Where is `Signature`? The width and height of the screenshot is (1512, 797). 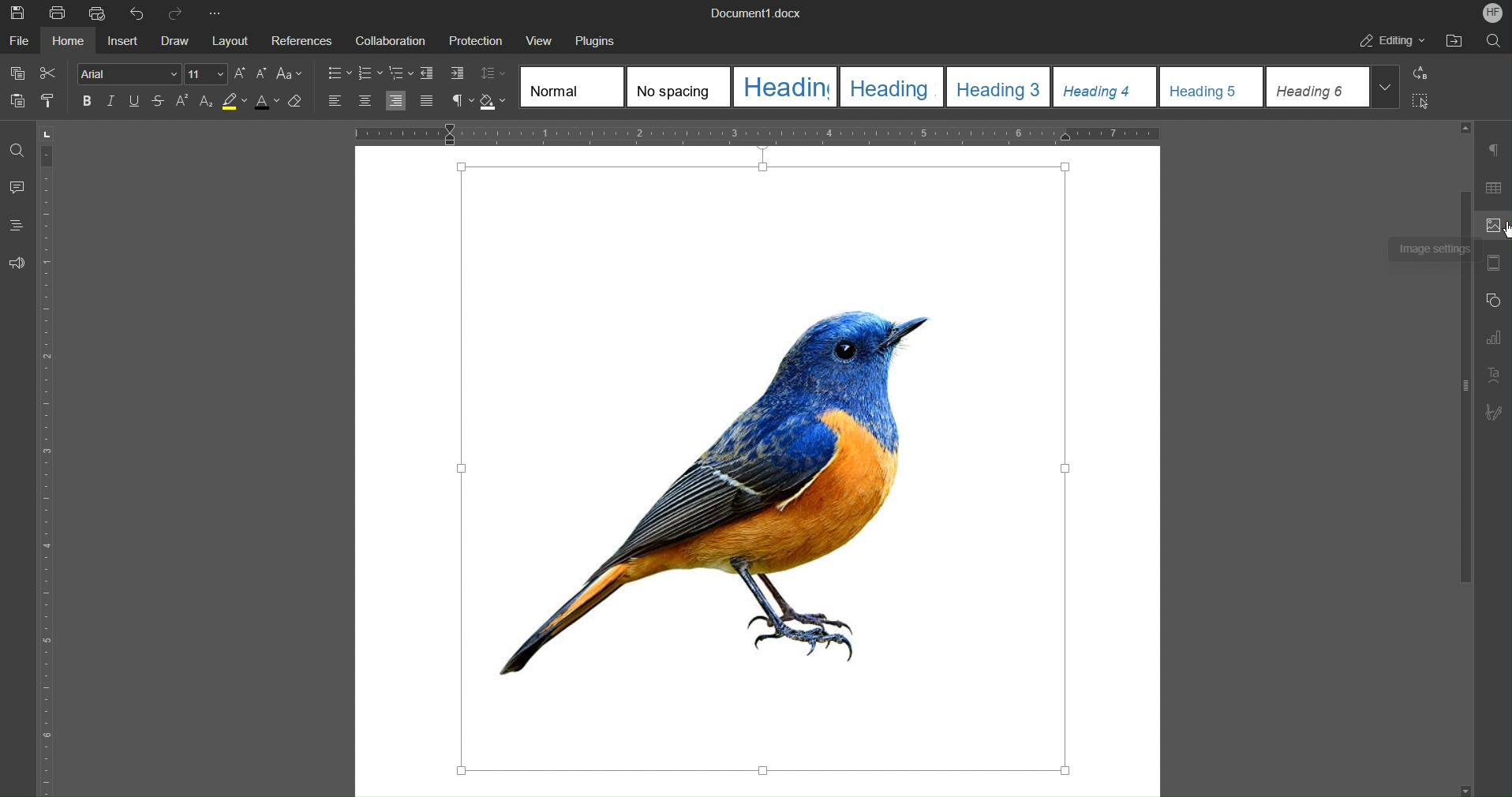 Signature is located at coordinates (1493, 412).